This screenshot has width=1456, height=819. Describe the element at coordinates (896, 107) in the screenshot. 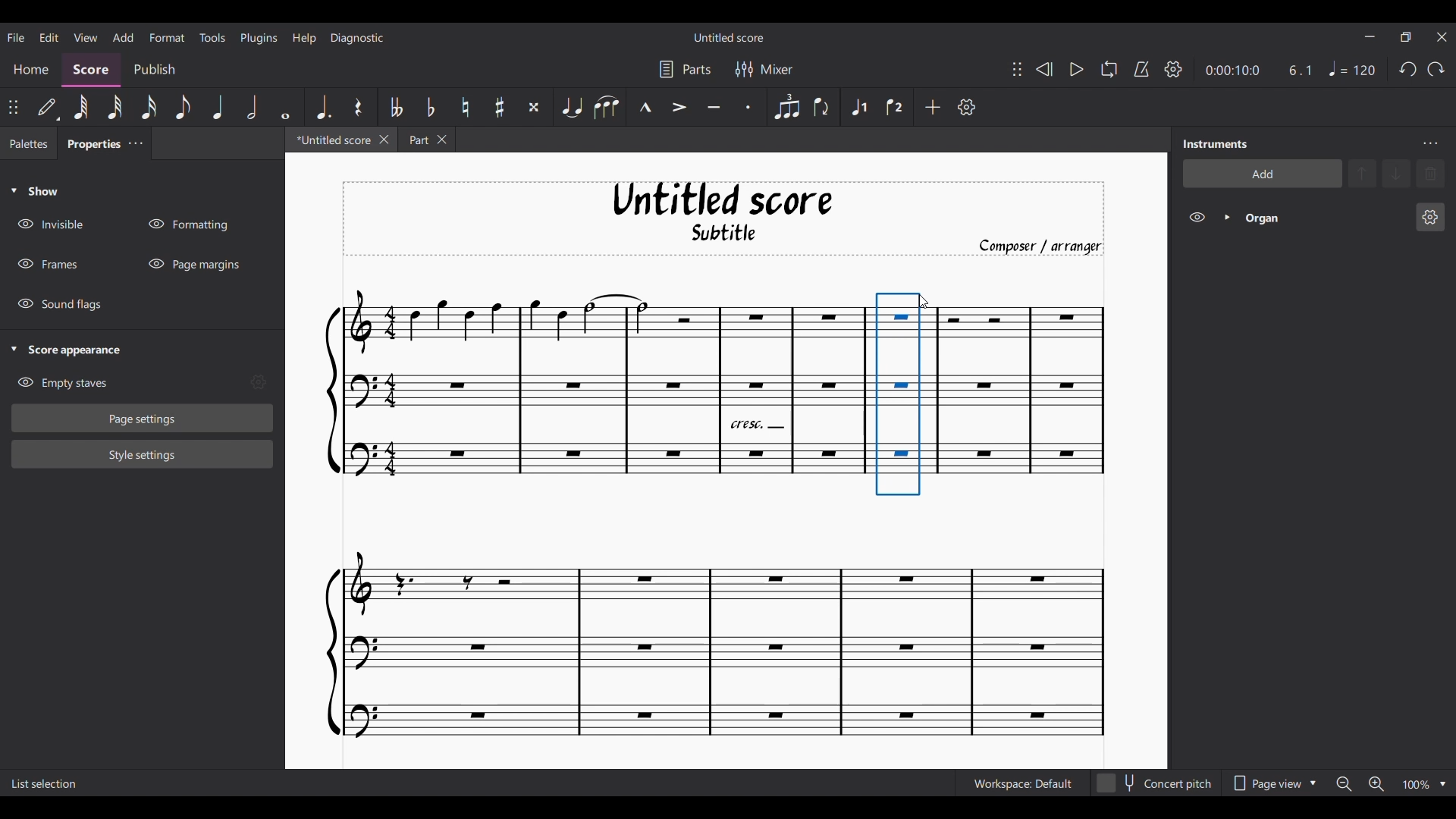

I see `Voice 2` at that location.